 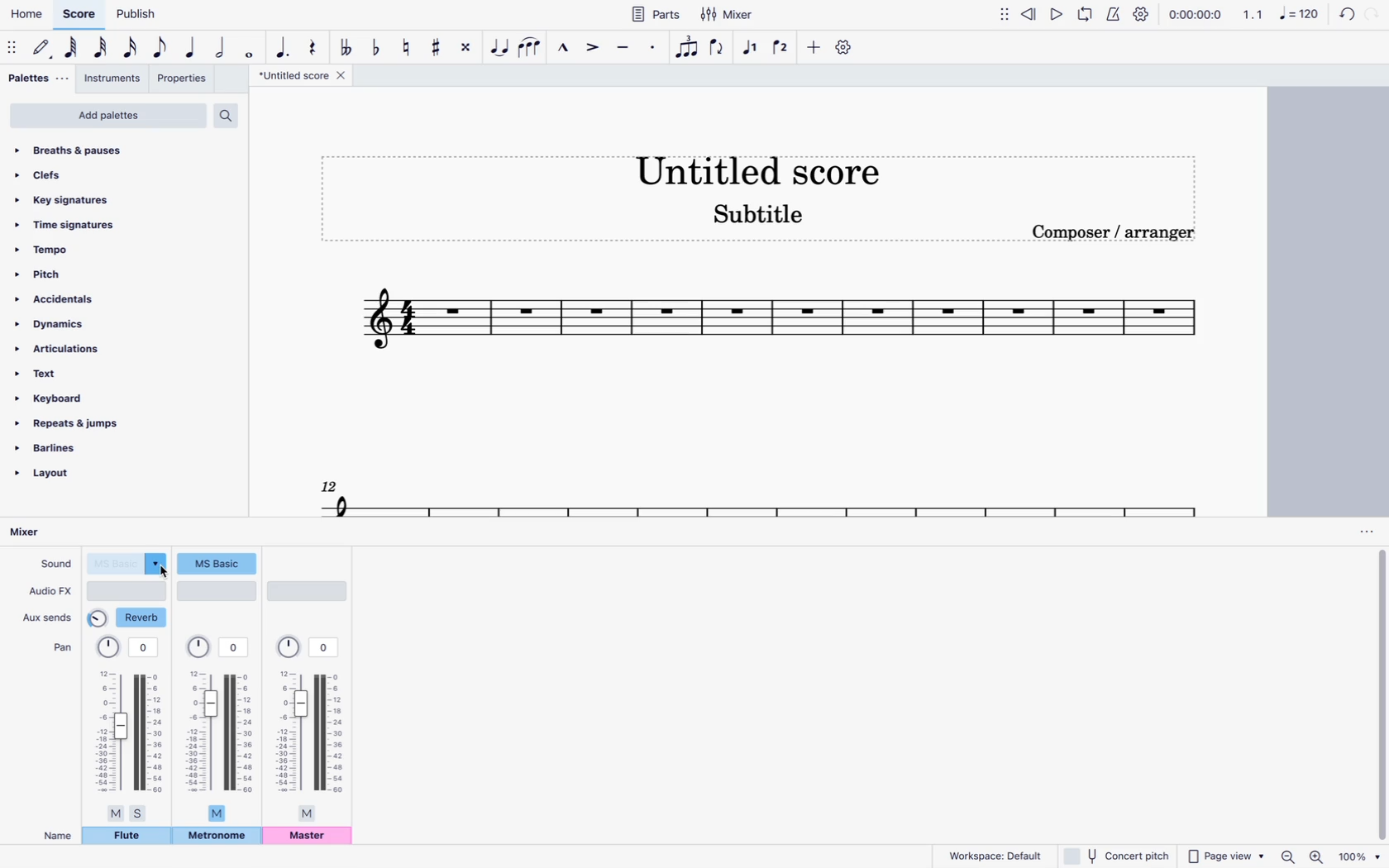 I want to click on audio fx, so click(x=50, y=591).